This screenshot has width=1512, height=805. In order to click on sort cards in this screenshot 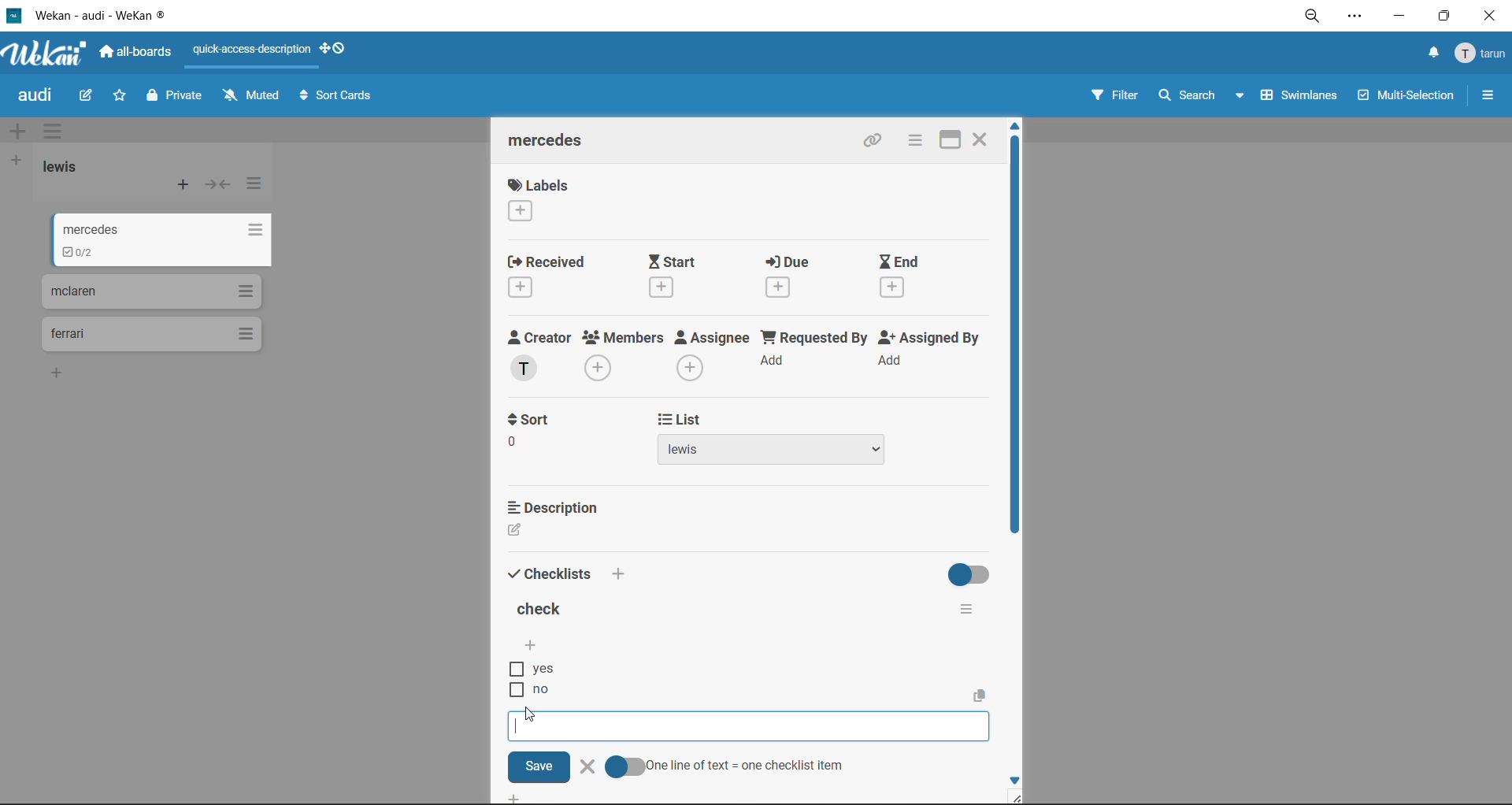, I will do `click(338, 96)`.